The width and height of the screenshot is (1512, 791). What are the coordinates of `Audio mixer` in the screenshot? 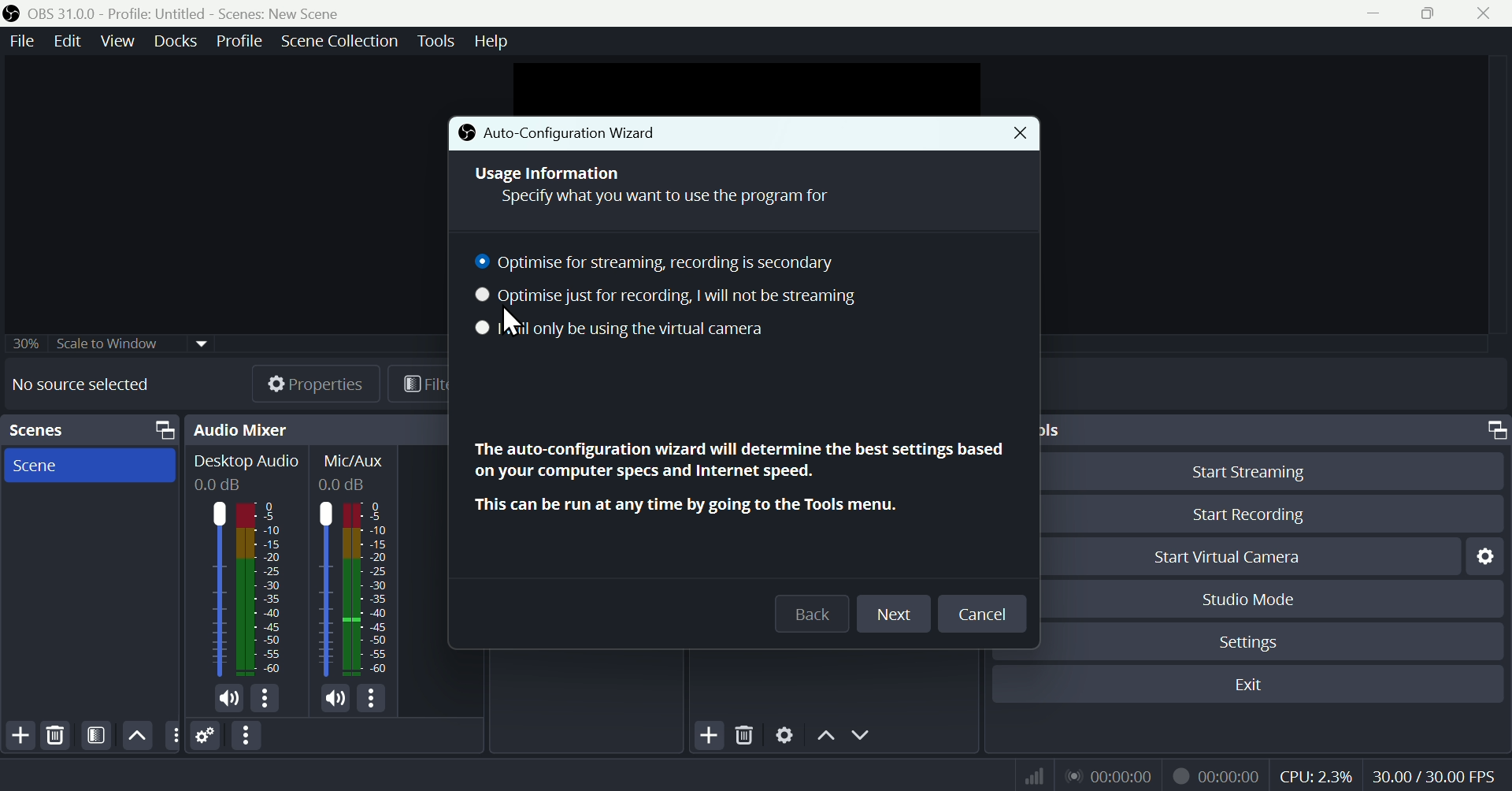 It's located at (241, 429).